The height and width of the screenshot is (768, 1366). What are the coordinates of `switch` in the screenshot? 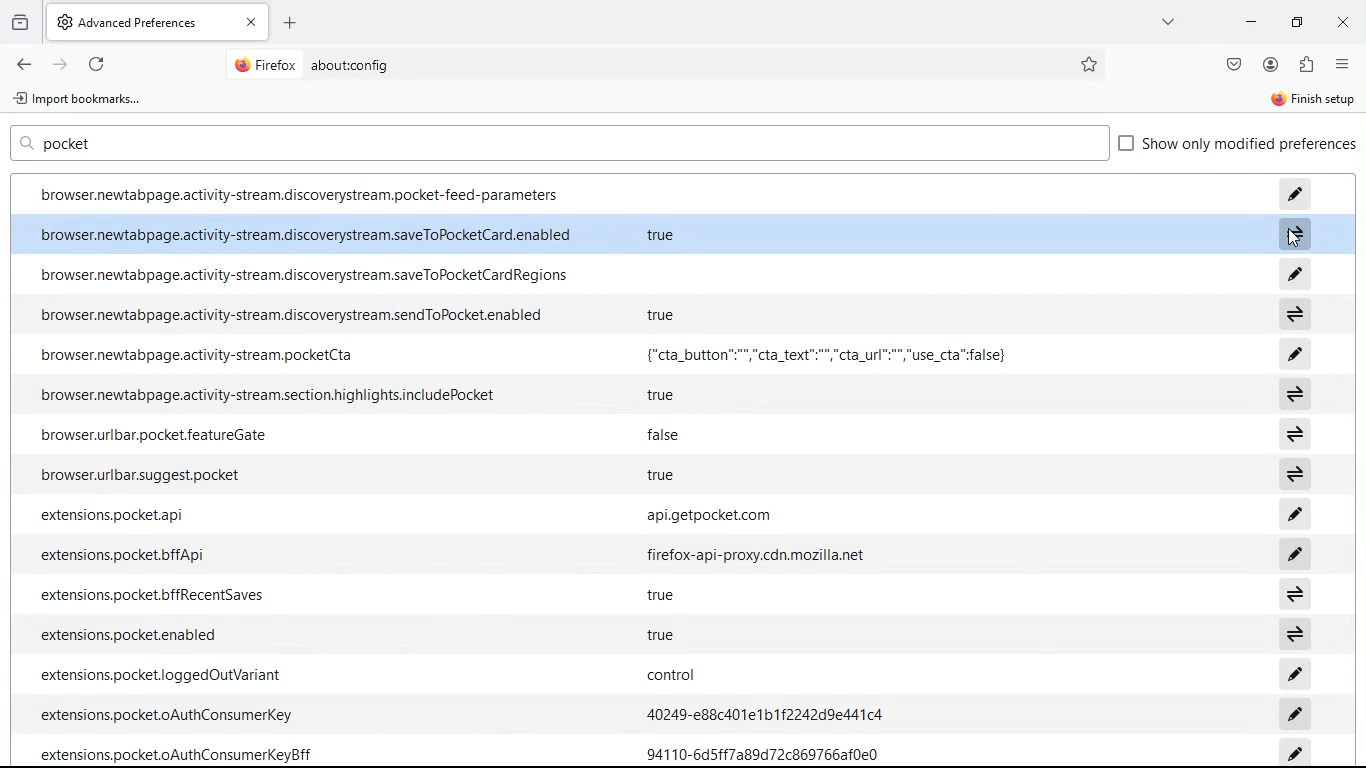 It's located at (1291, 235).